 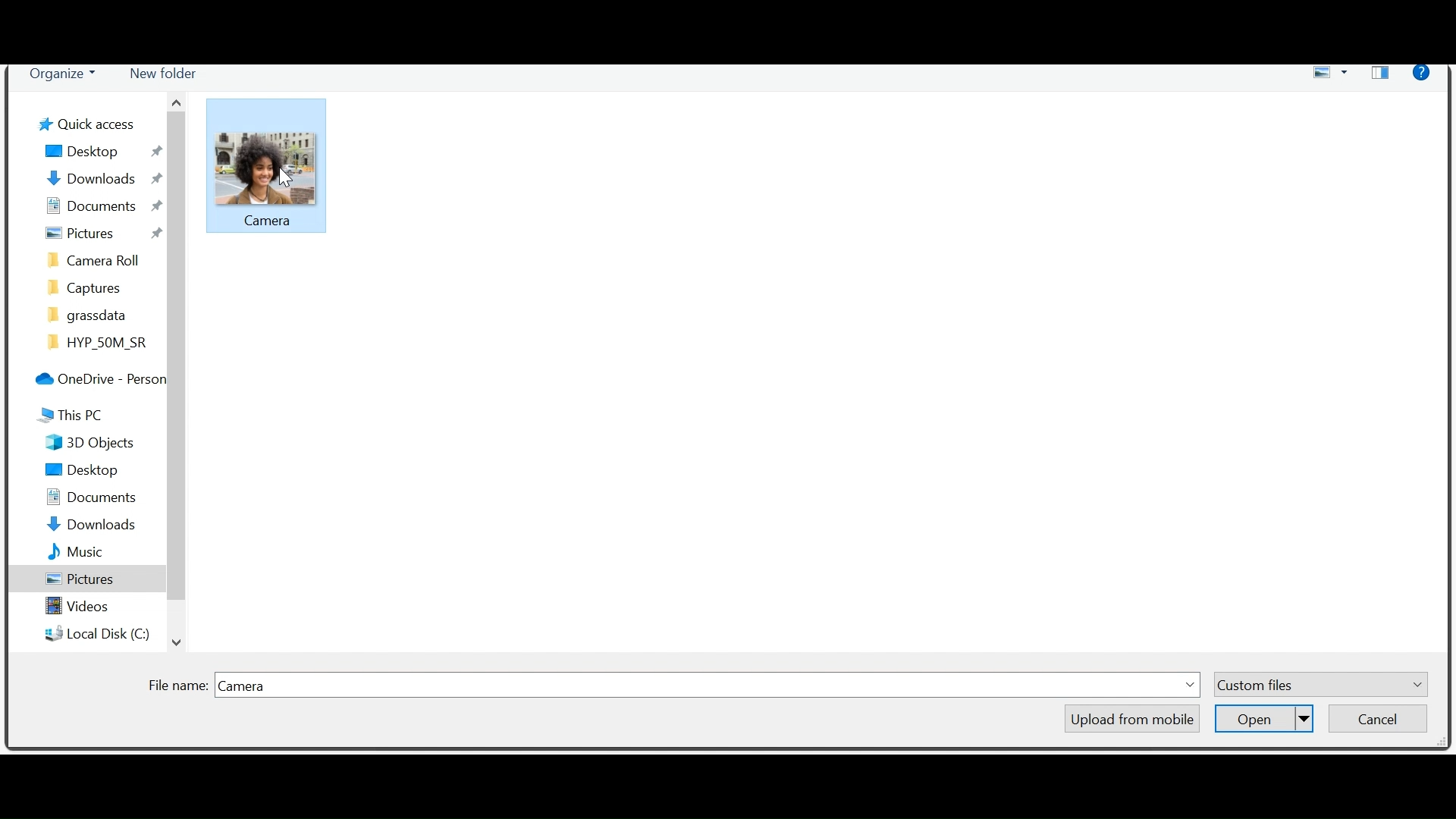 What do you see at coordinates (102, 177) in the screenshot?
I see `Downloads` at bounding box center [102, 177].